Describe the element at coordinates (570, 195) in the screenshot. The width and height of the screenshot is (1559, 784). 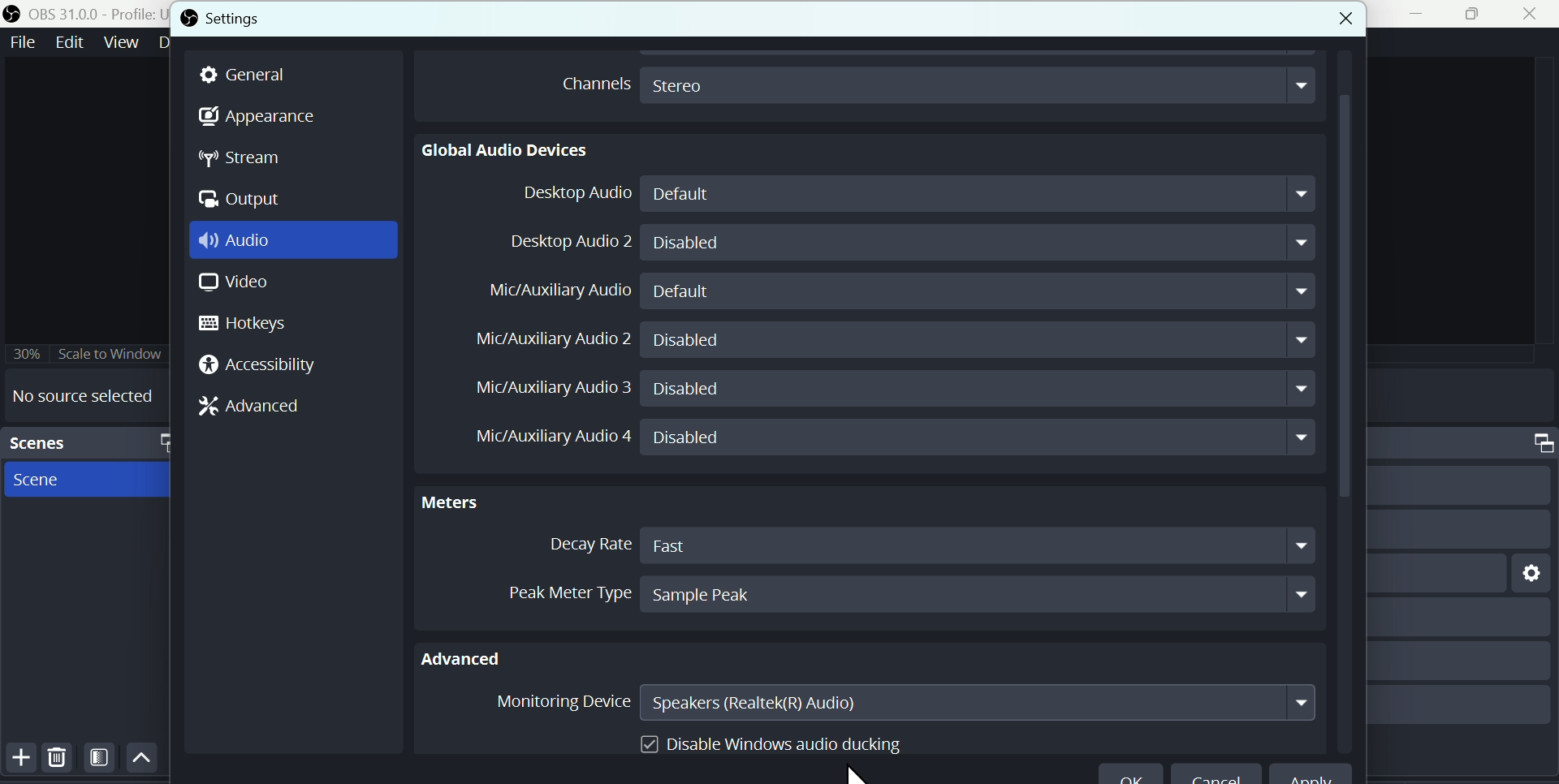
I see `Desktop Audio` at that location.